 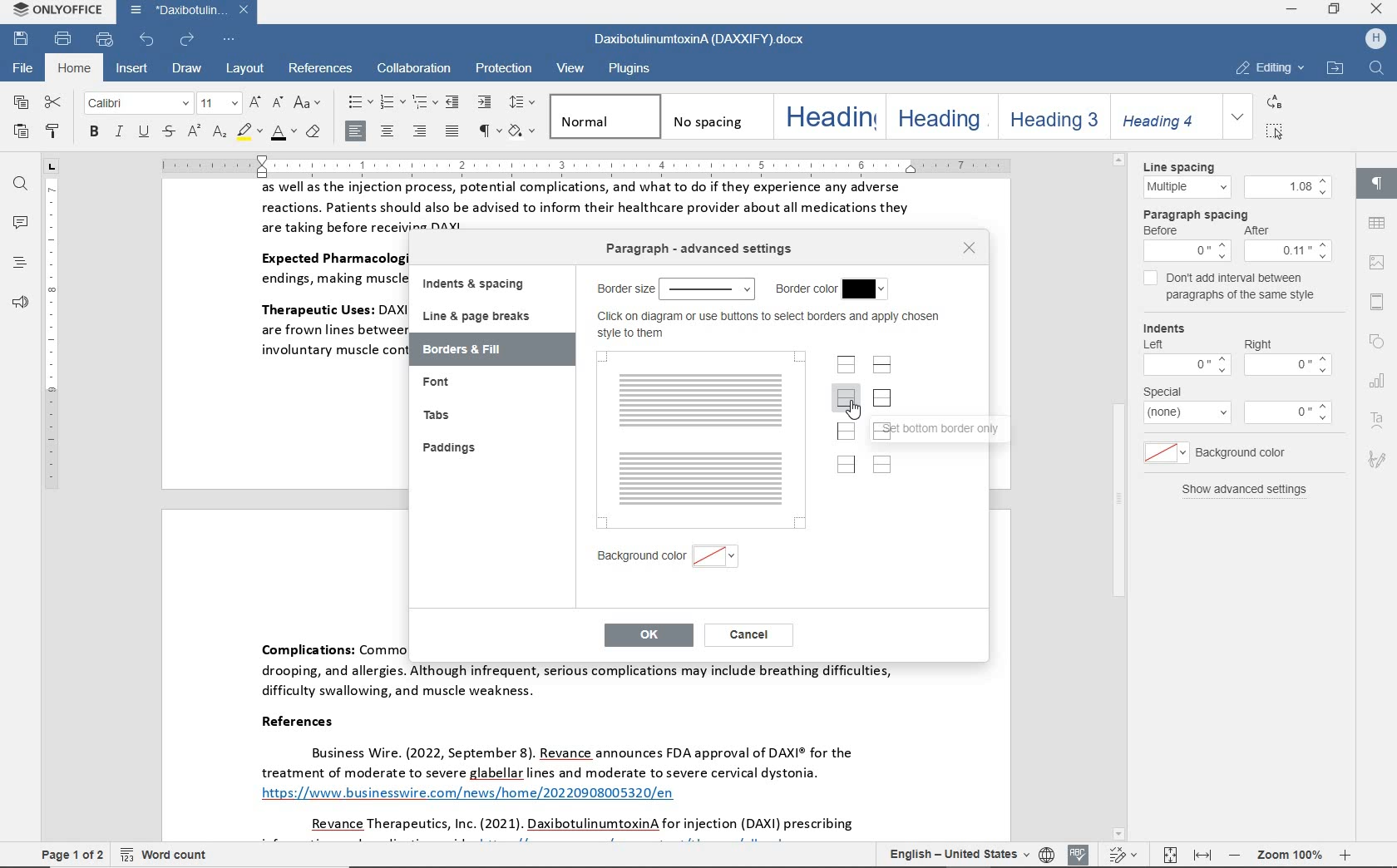 What do you see at coordinates (1378, 379) in the screenshot?
I see `chart` at bounding box center [1378, 379].